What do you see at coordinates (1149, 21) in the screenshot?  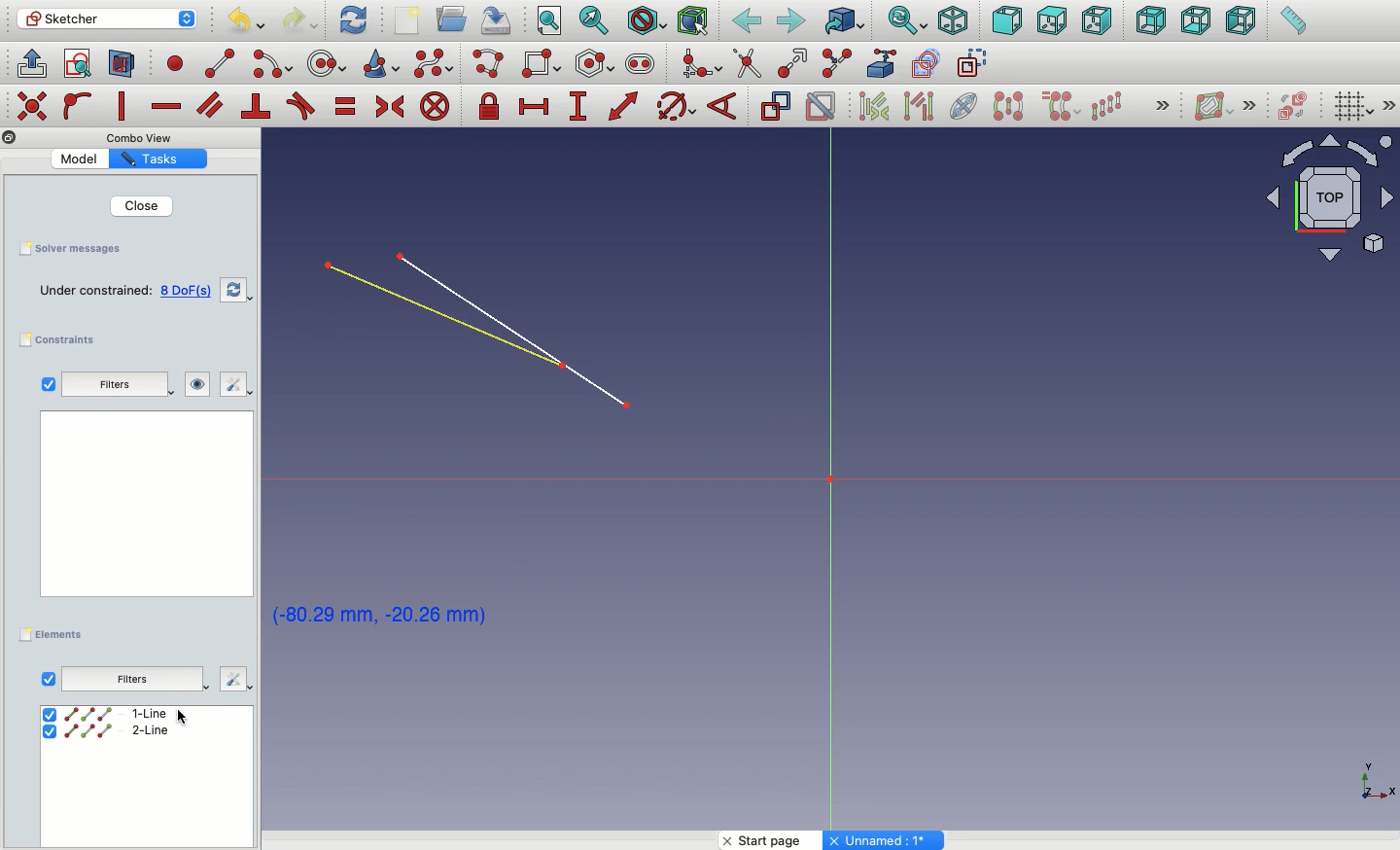 I see `Rear` at bounding box center [1149, 21].